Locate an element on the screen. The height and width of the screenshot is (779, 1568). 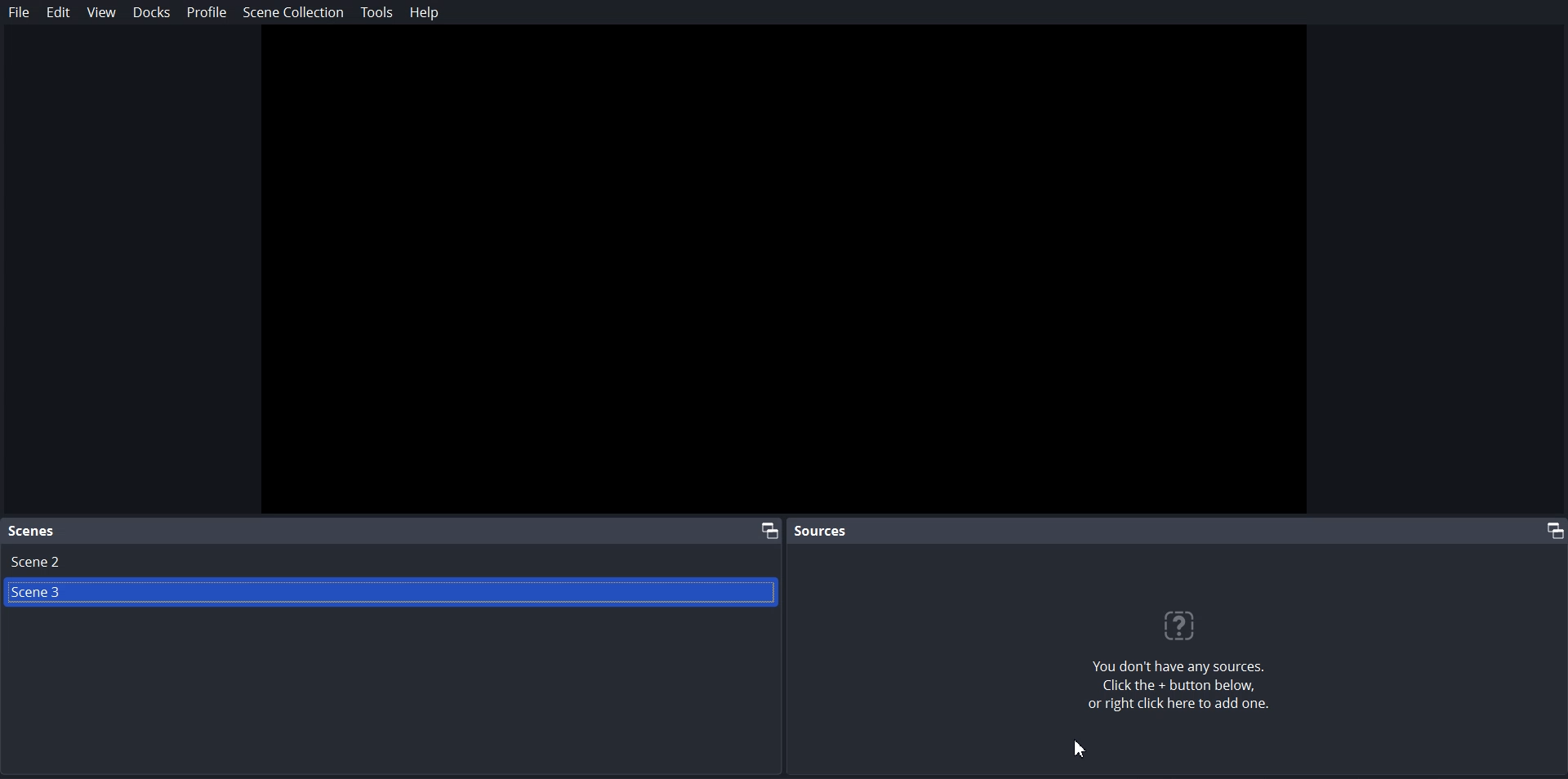
Help is located at coordinates (422, 11).